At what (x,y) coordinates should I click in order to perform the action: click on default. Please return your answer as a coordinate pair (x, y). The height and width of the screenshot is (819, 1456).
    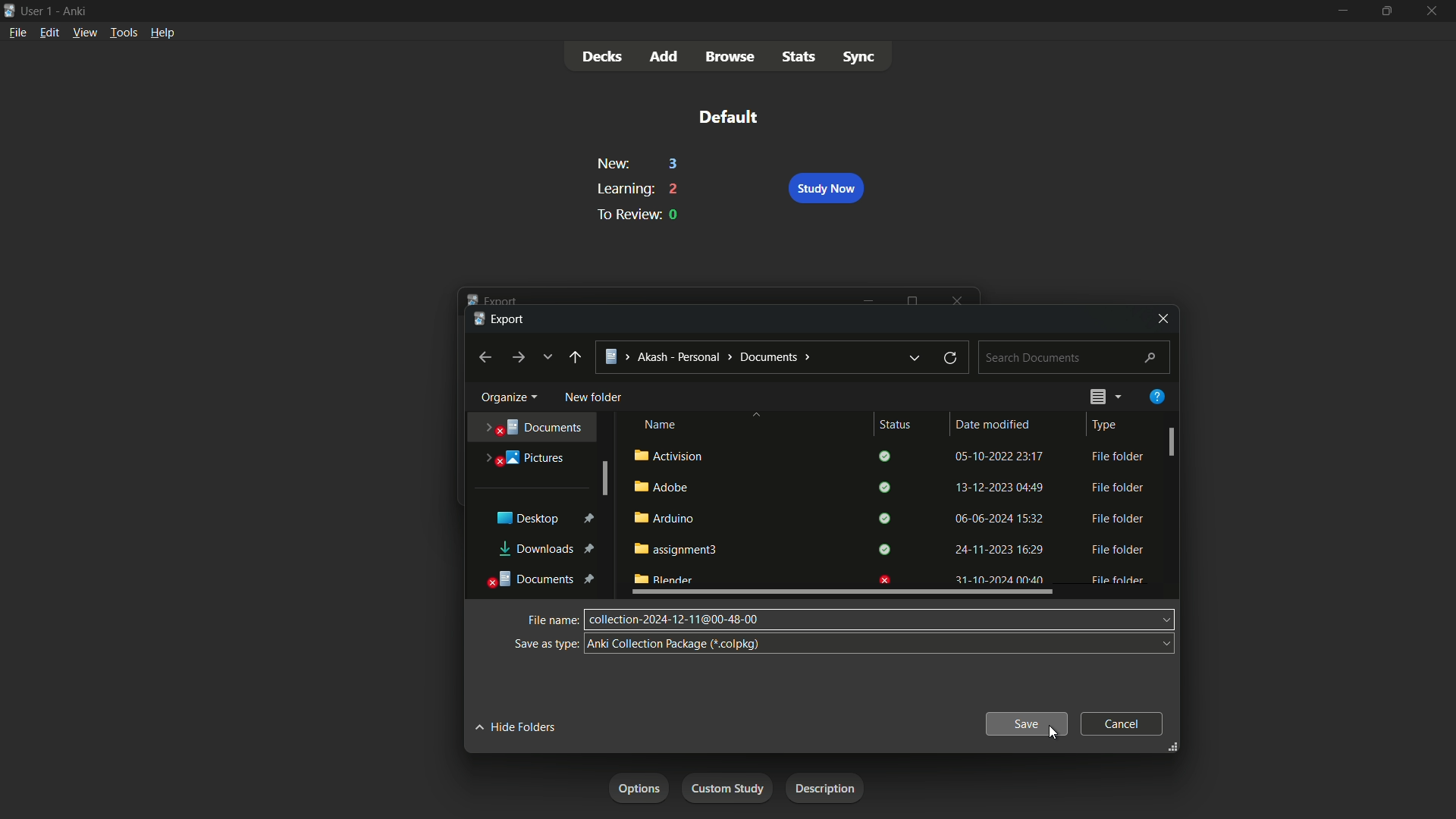
    Looking at the image, I should click on (727, 116).